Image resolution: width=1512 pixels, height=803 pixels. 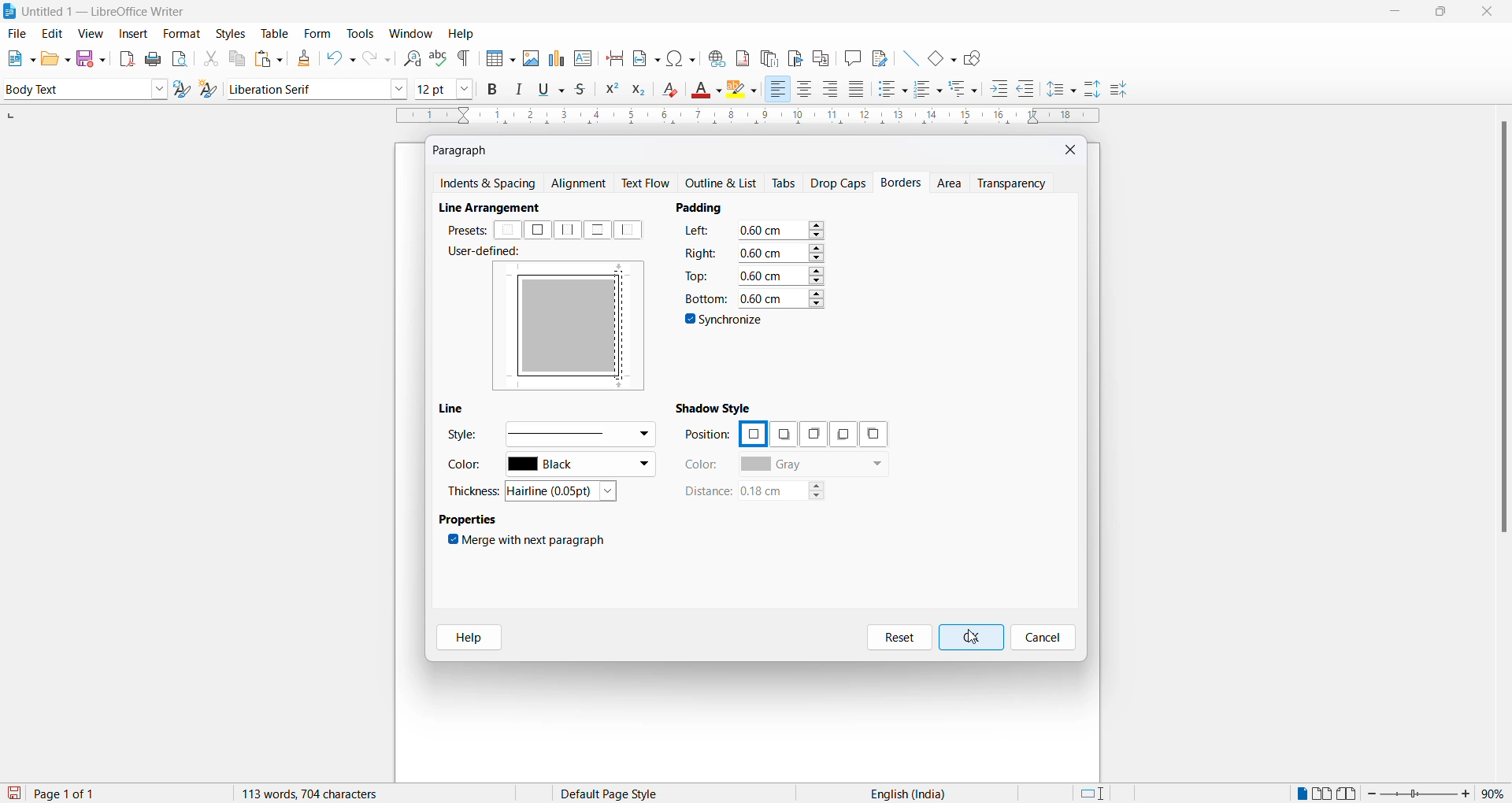 What do you see at coordinates (180, 58) in the screenshot?
I see `print preview` at bounding box center [180, 58].